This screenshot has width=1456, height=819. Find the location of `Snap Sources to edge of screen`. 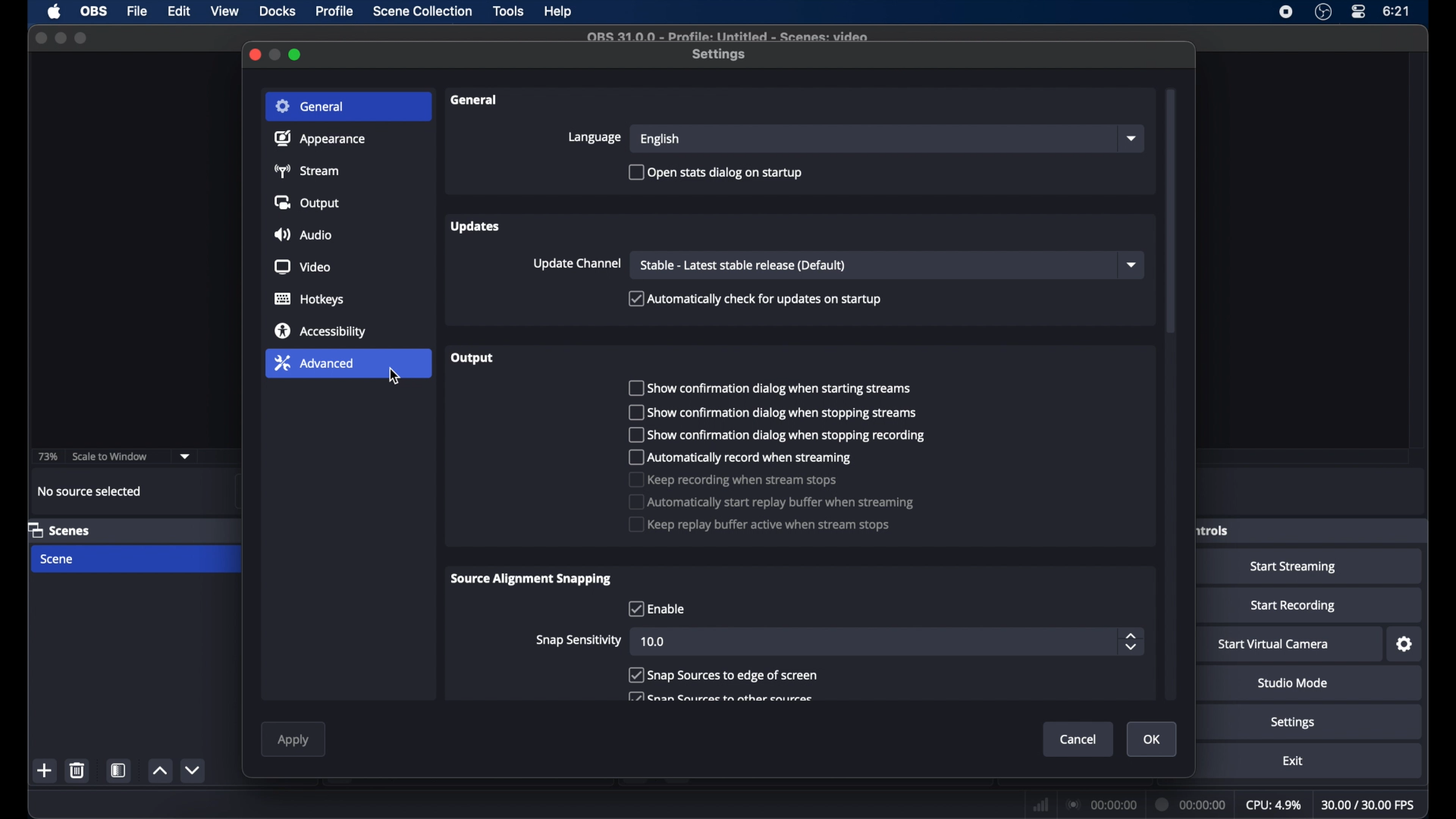

Snap Sources to edge of screen is located at coordinates (726, 673).